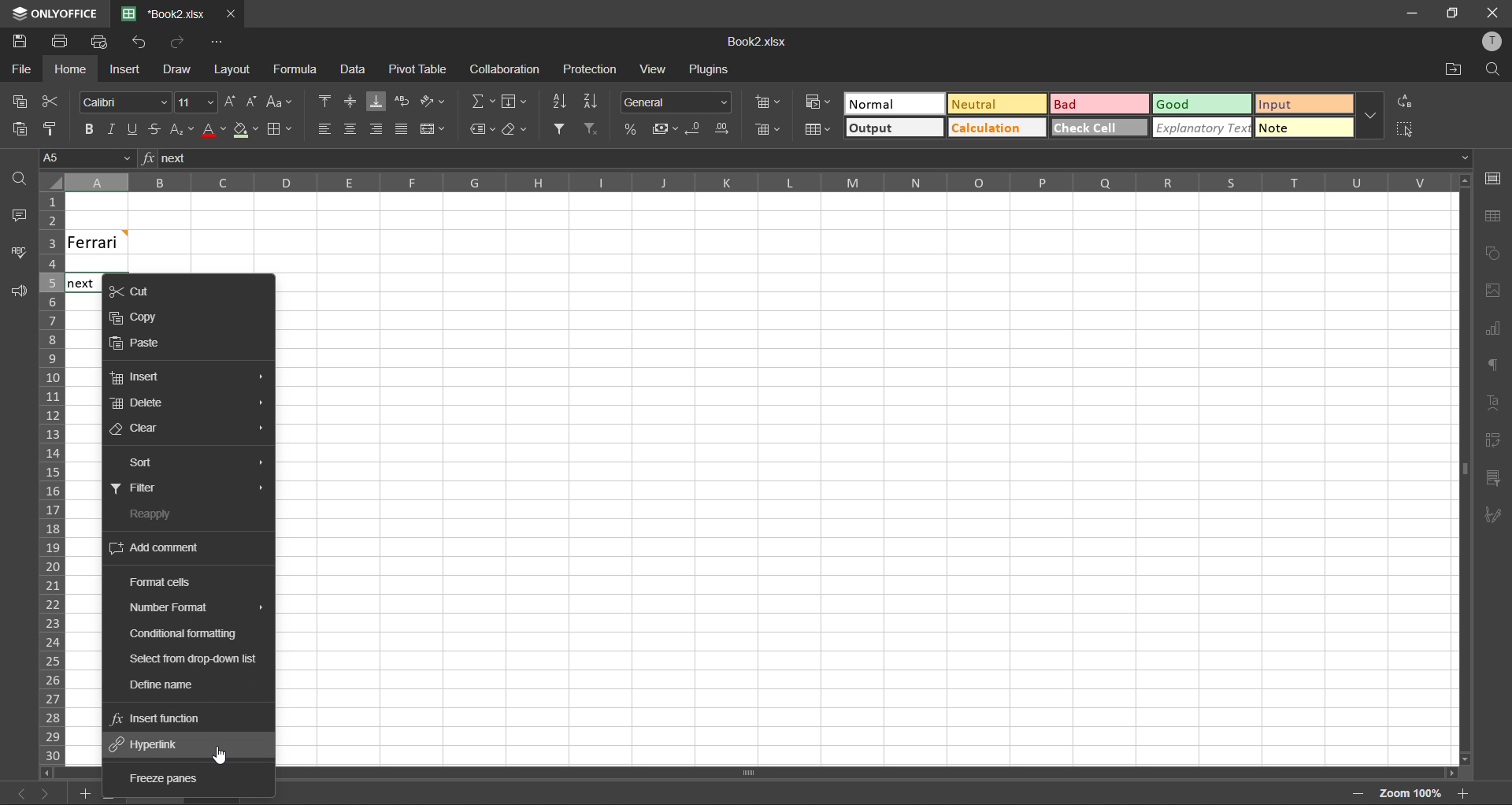 This screenshot has width=1512, height=805. What do you see at coordinates (24, 254) in the screenshot?
I see `spellcheck` at bounding box center [24, 254].